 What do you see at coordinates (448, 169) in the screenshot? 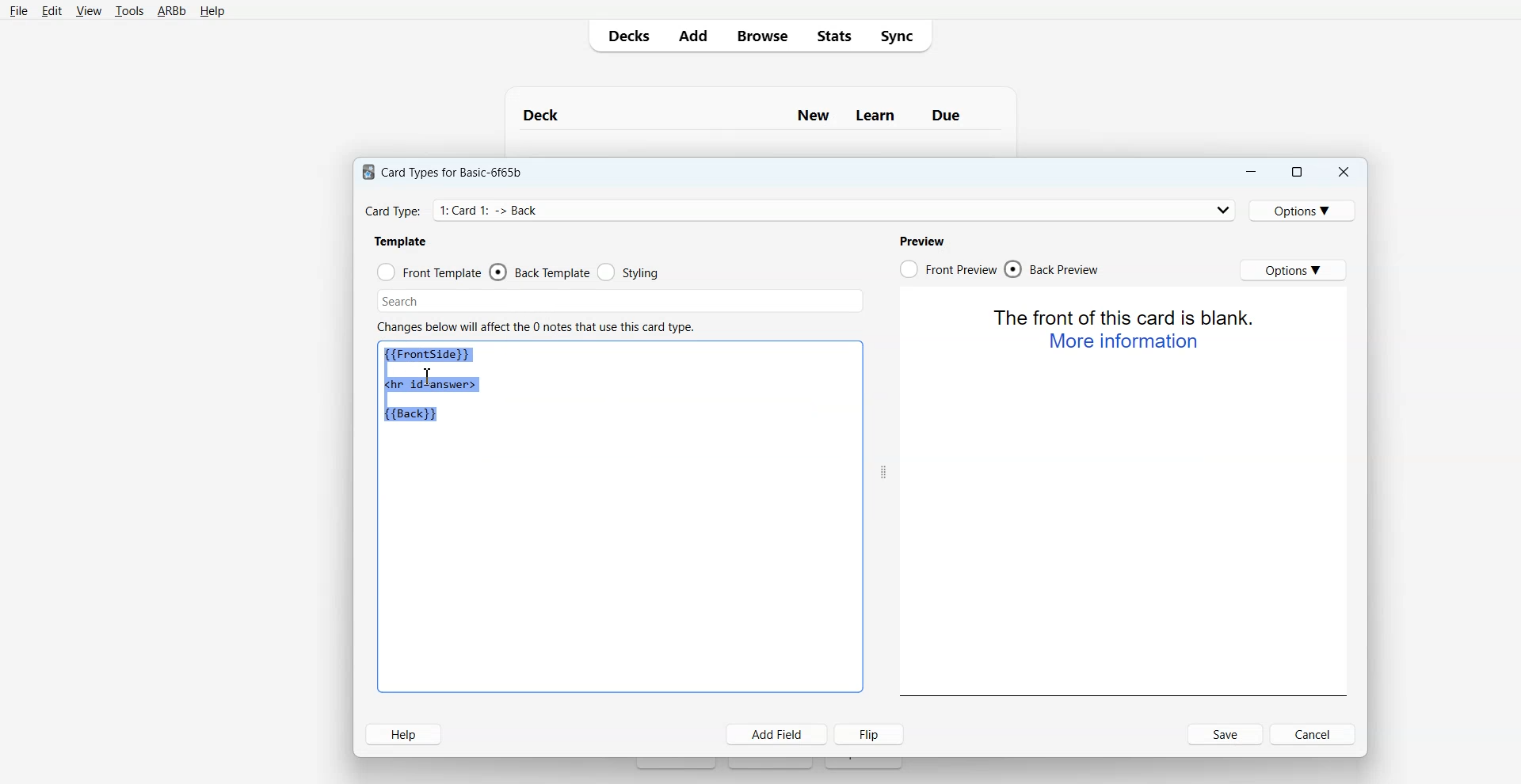
I see `Text 1` at bounding box center [448, 169].